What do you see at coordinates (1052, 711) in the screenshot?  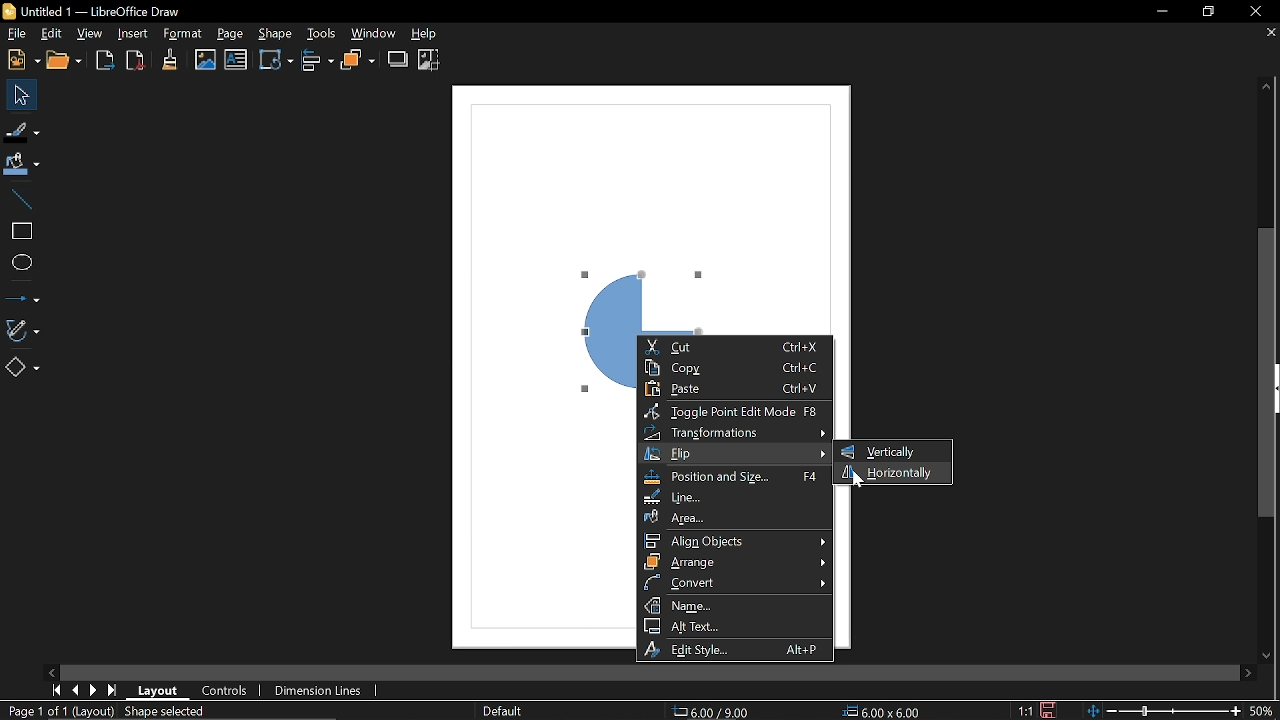 I see `Save` at bounding box center [1052, 711].